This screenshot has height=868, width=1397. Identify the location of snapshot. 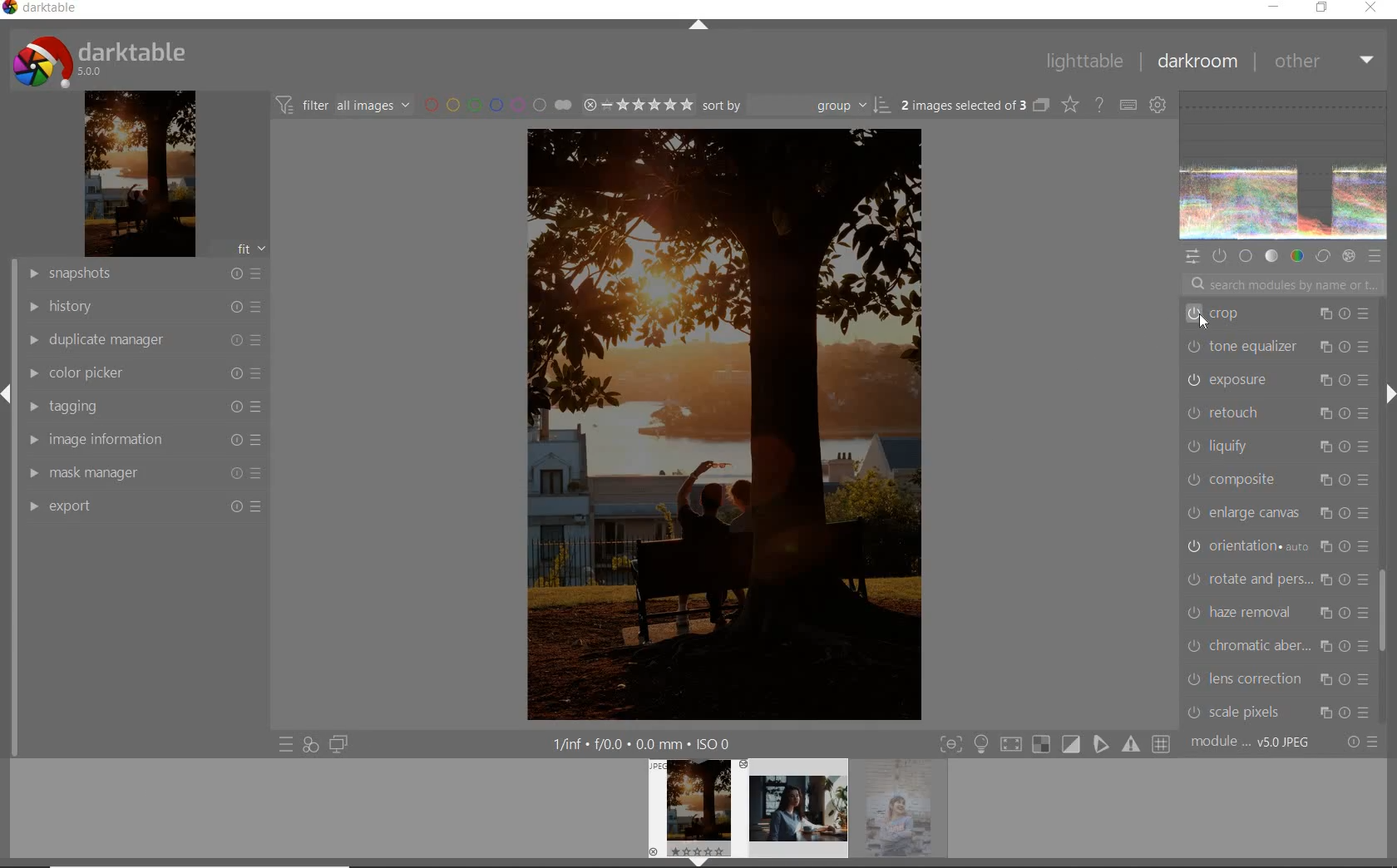
(144, 275).